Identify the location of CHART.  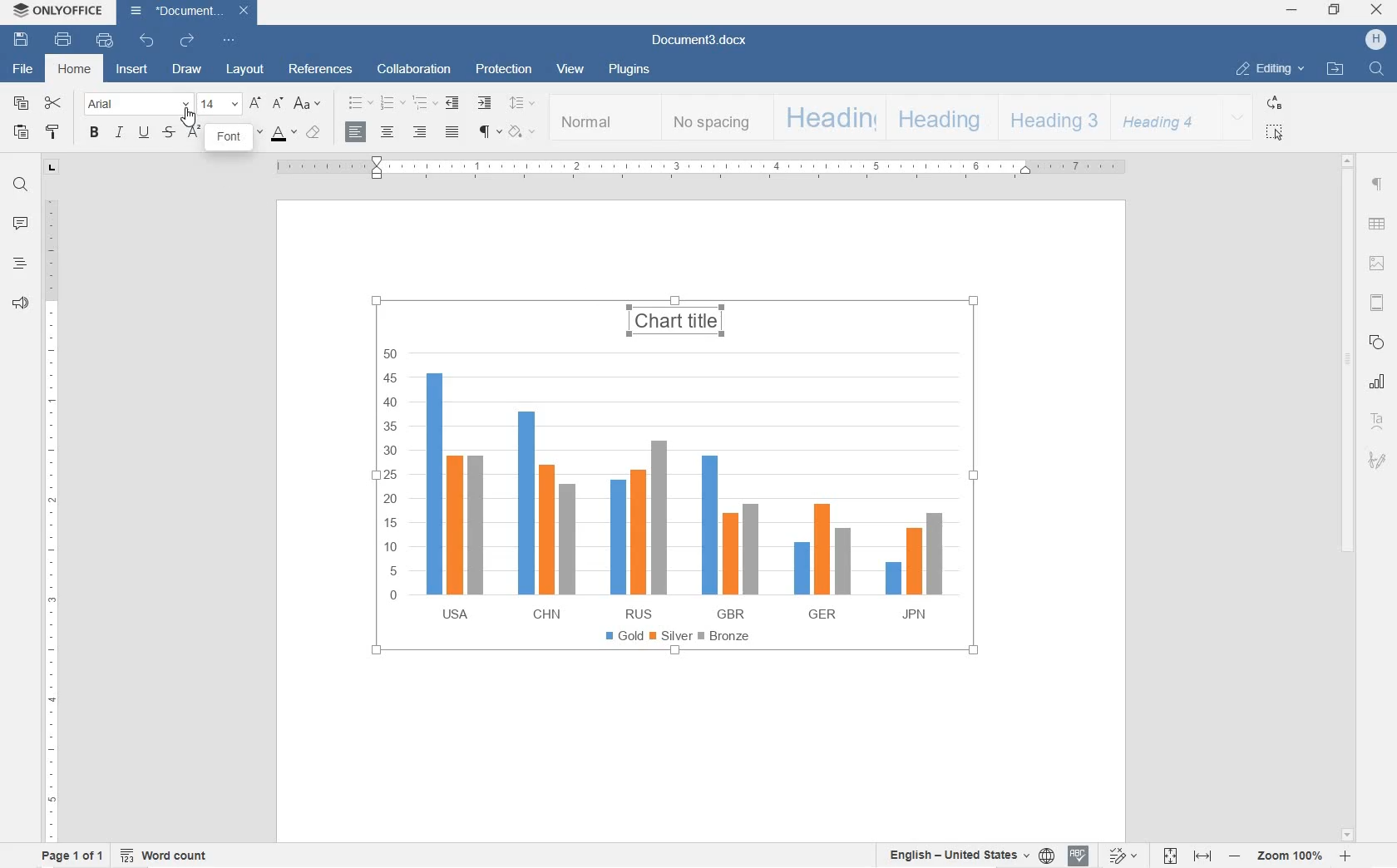
(1375, 382).